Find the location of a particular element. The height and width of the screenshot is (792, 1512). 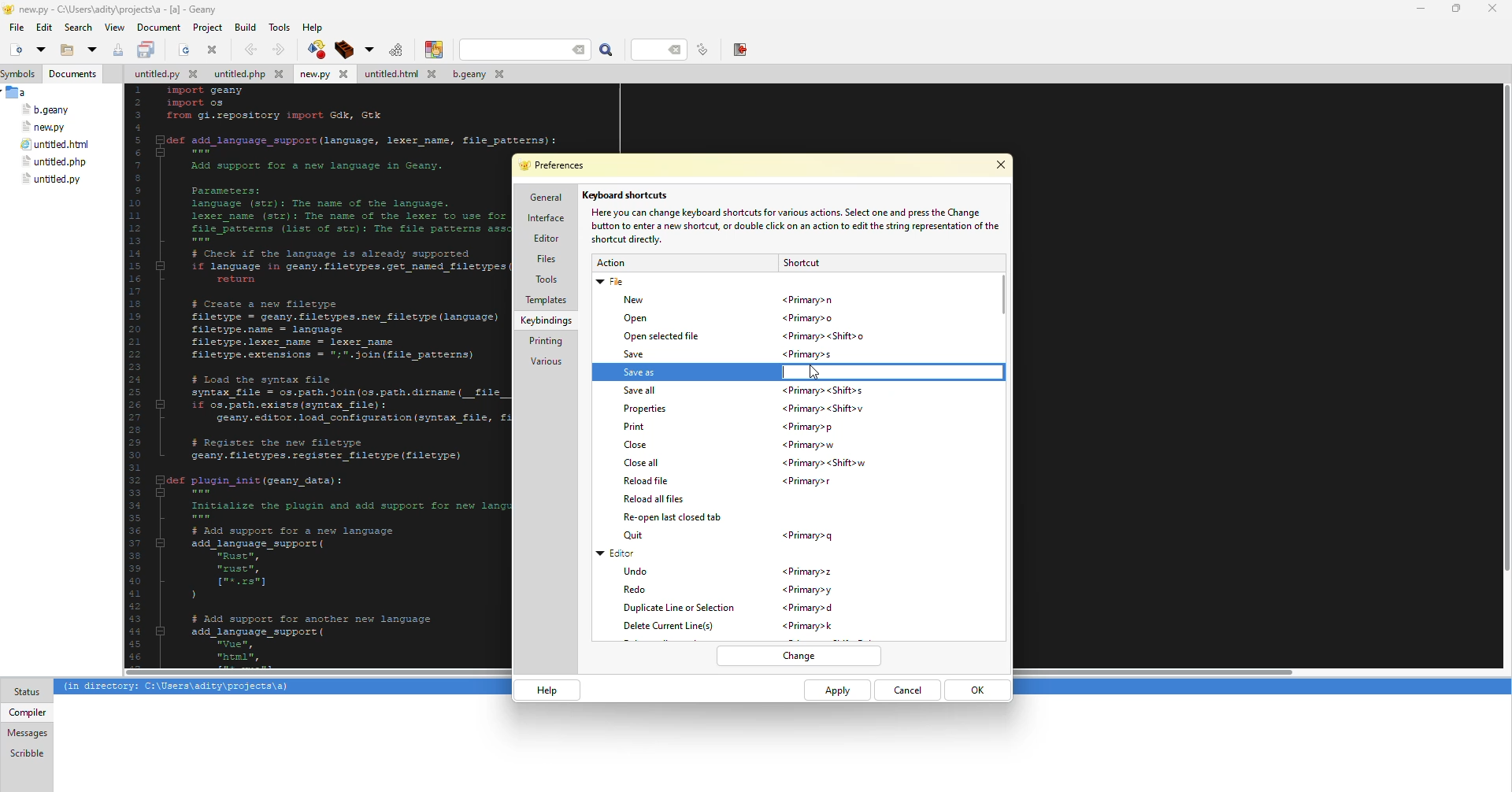

symbols is located at coordinates (22, 74).